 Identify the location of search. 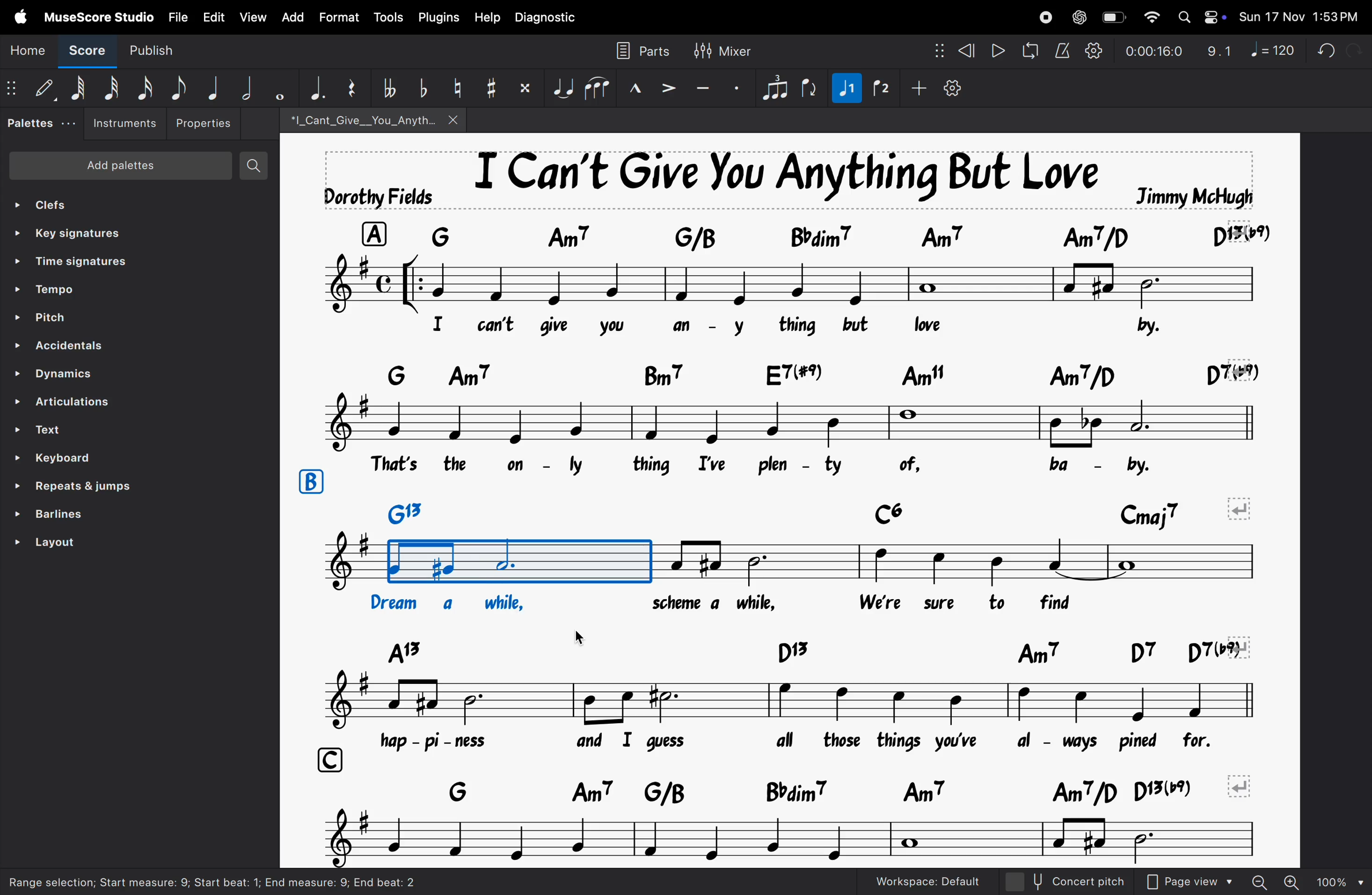
(255, 164).